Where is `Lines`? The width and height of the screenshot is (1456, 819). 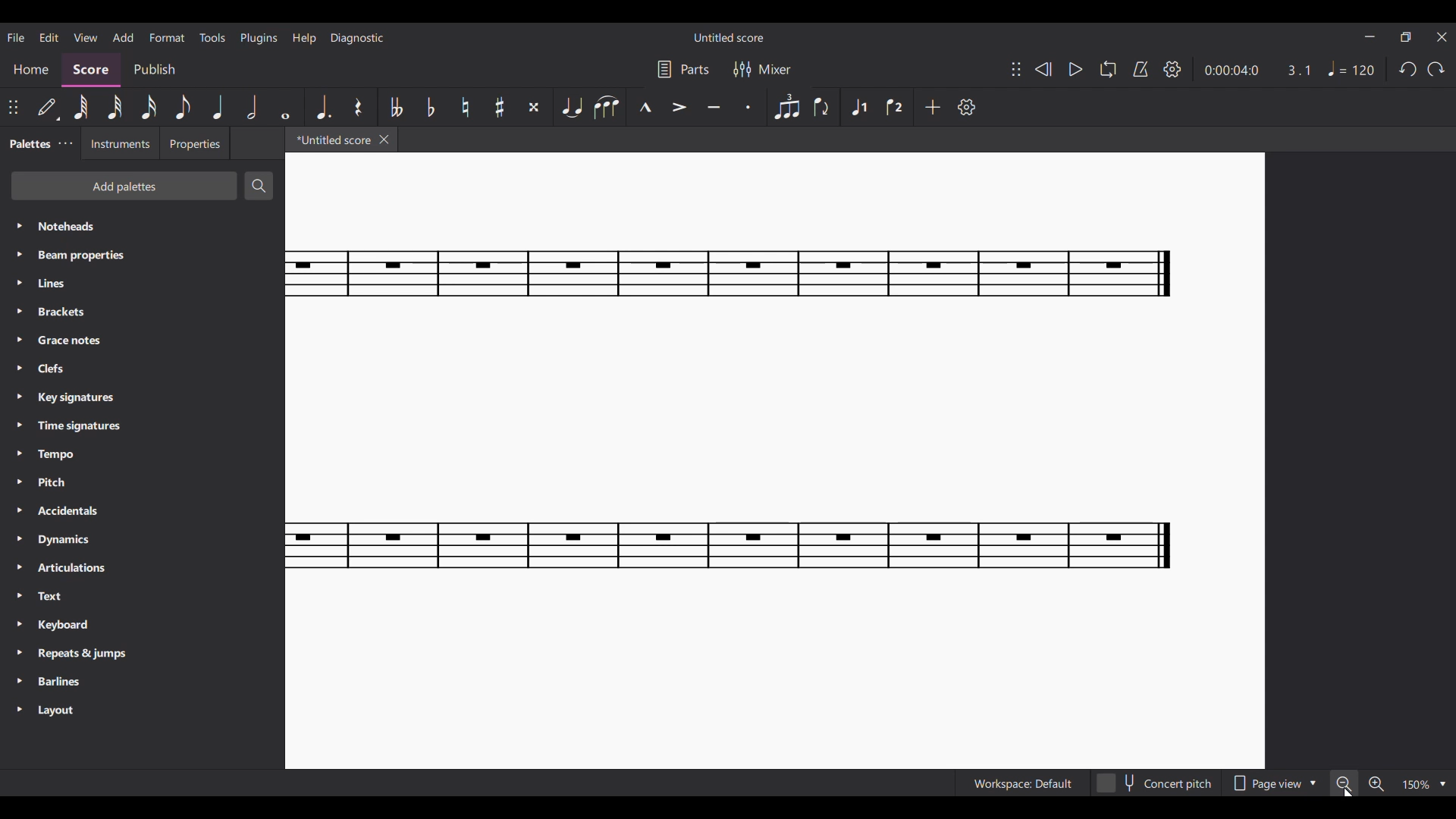 Lines is located at coordinates (142, 283).